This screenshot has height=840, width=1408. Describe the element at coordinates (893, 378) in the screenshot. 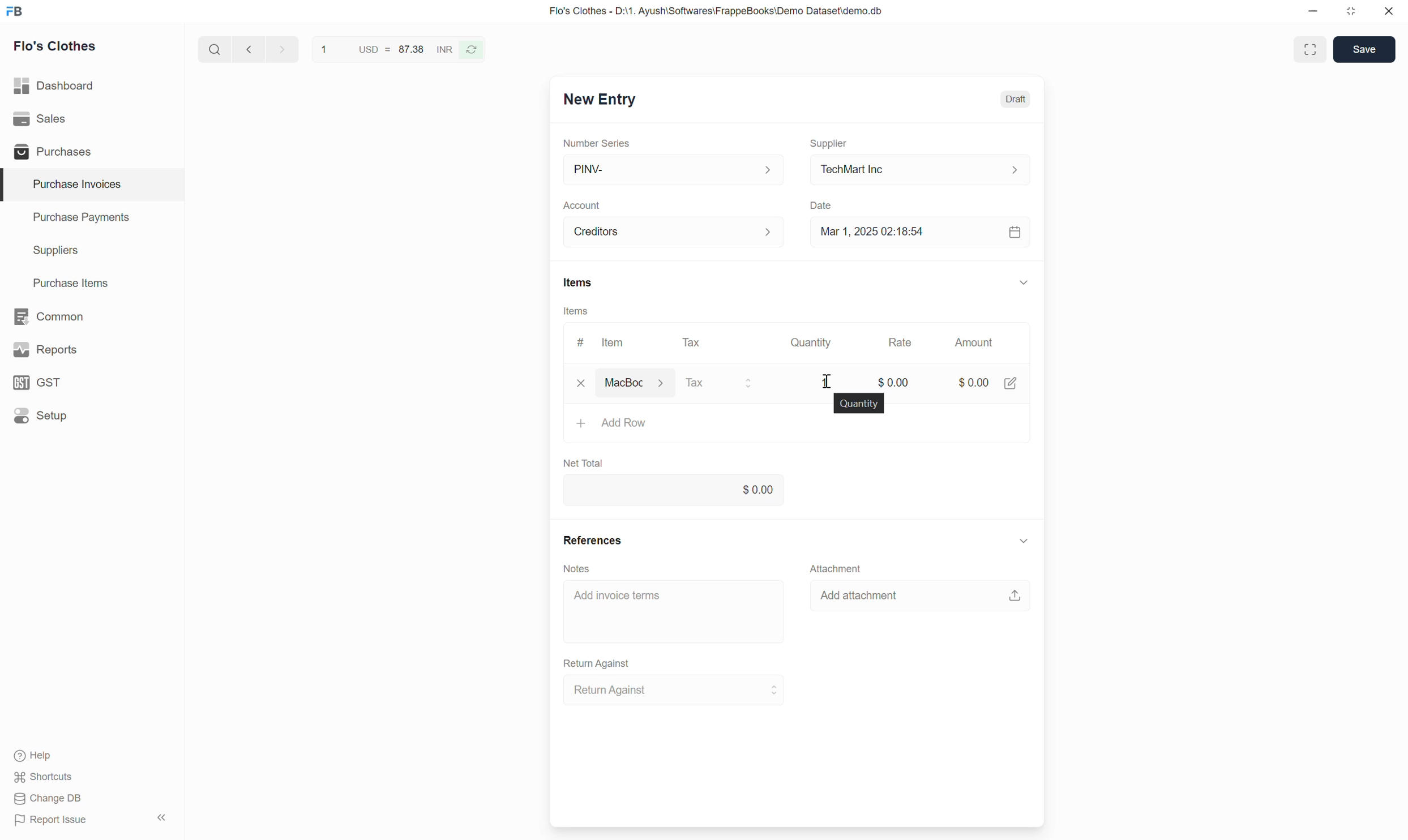

I see `$0.00` at that location.